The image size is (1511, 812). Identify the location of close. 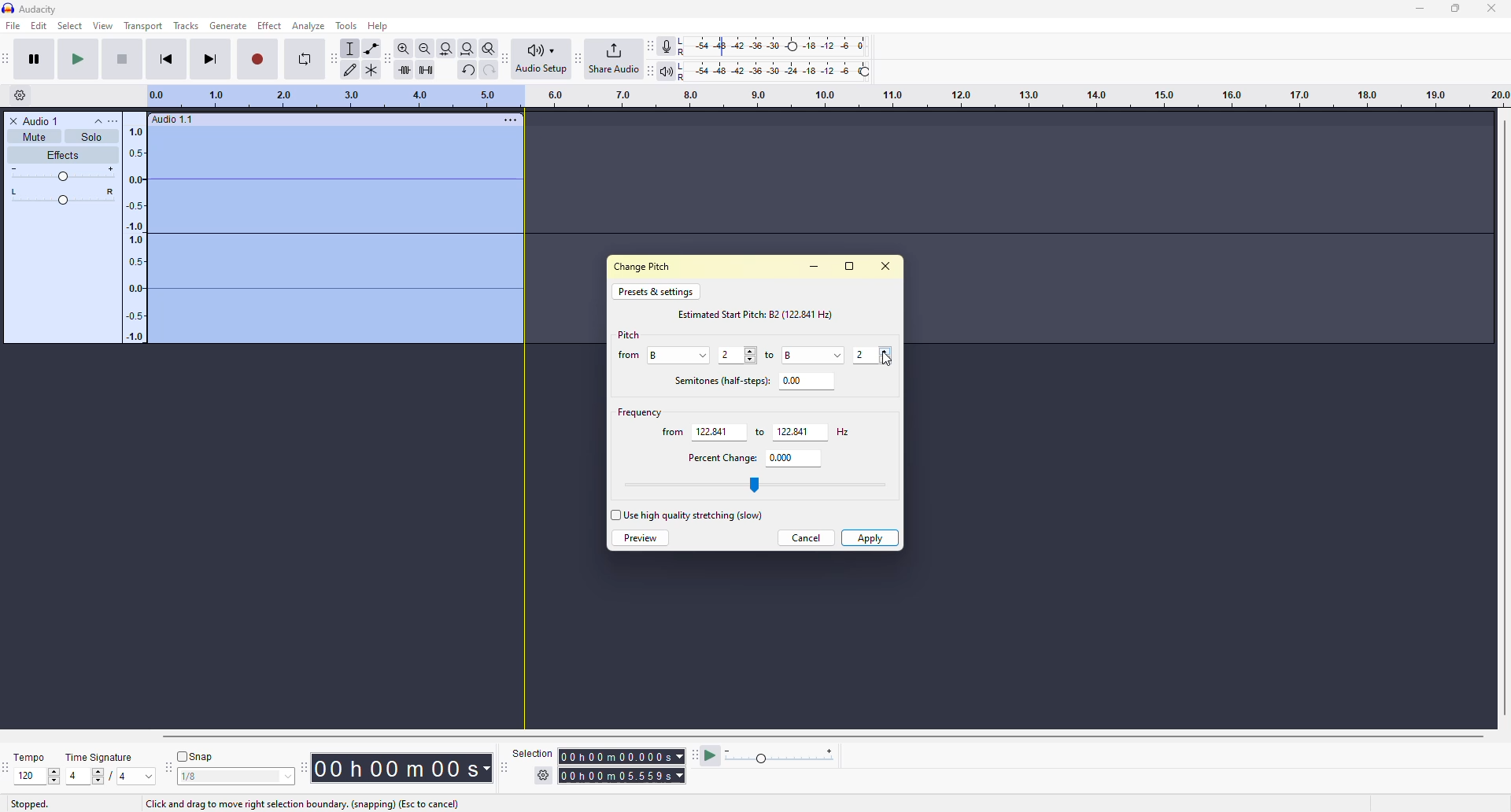
(1493, 8).